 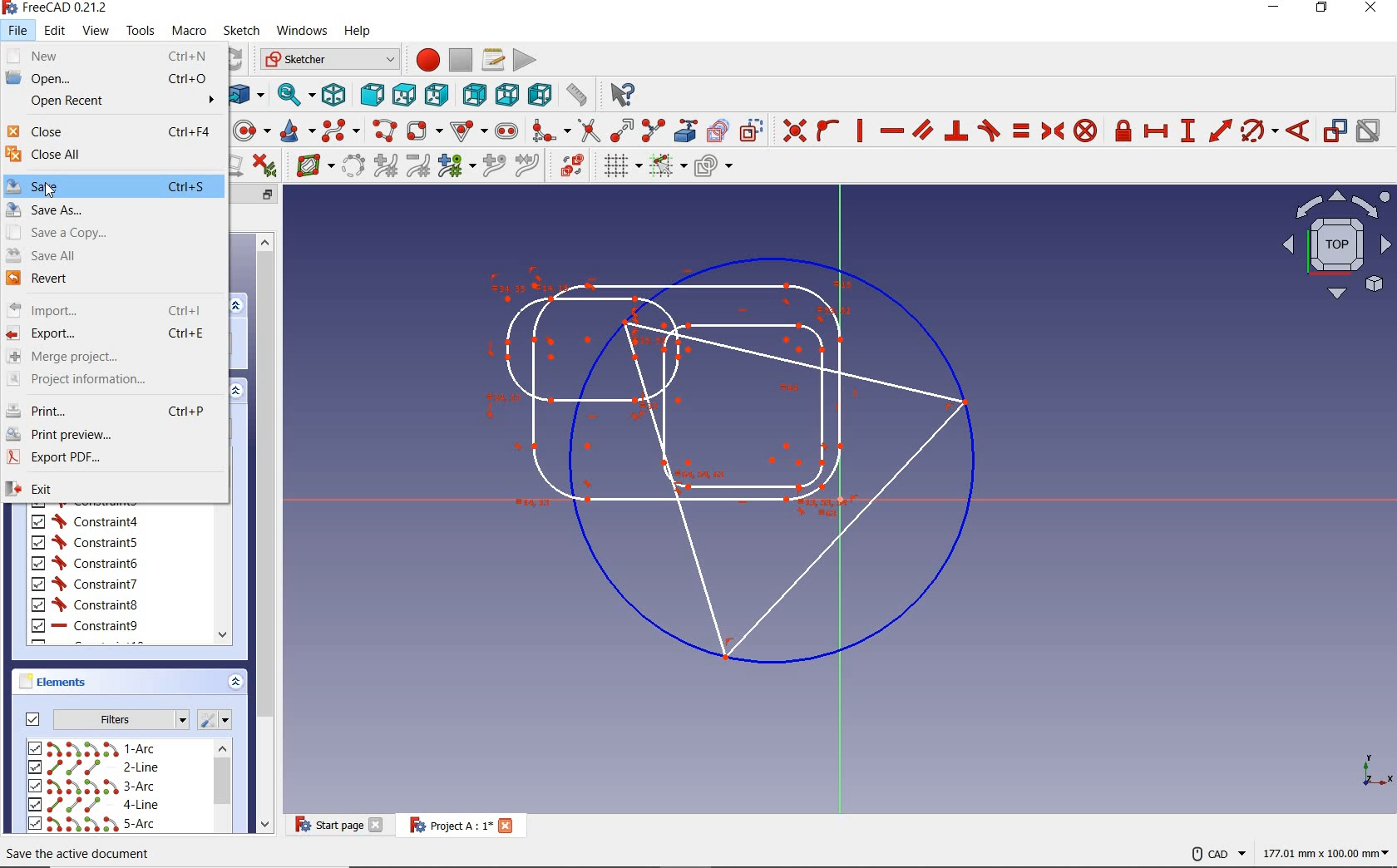 I want to click on reload, so click(x=236, y=60).